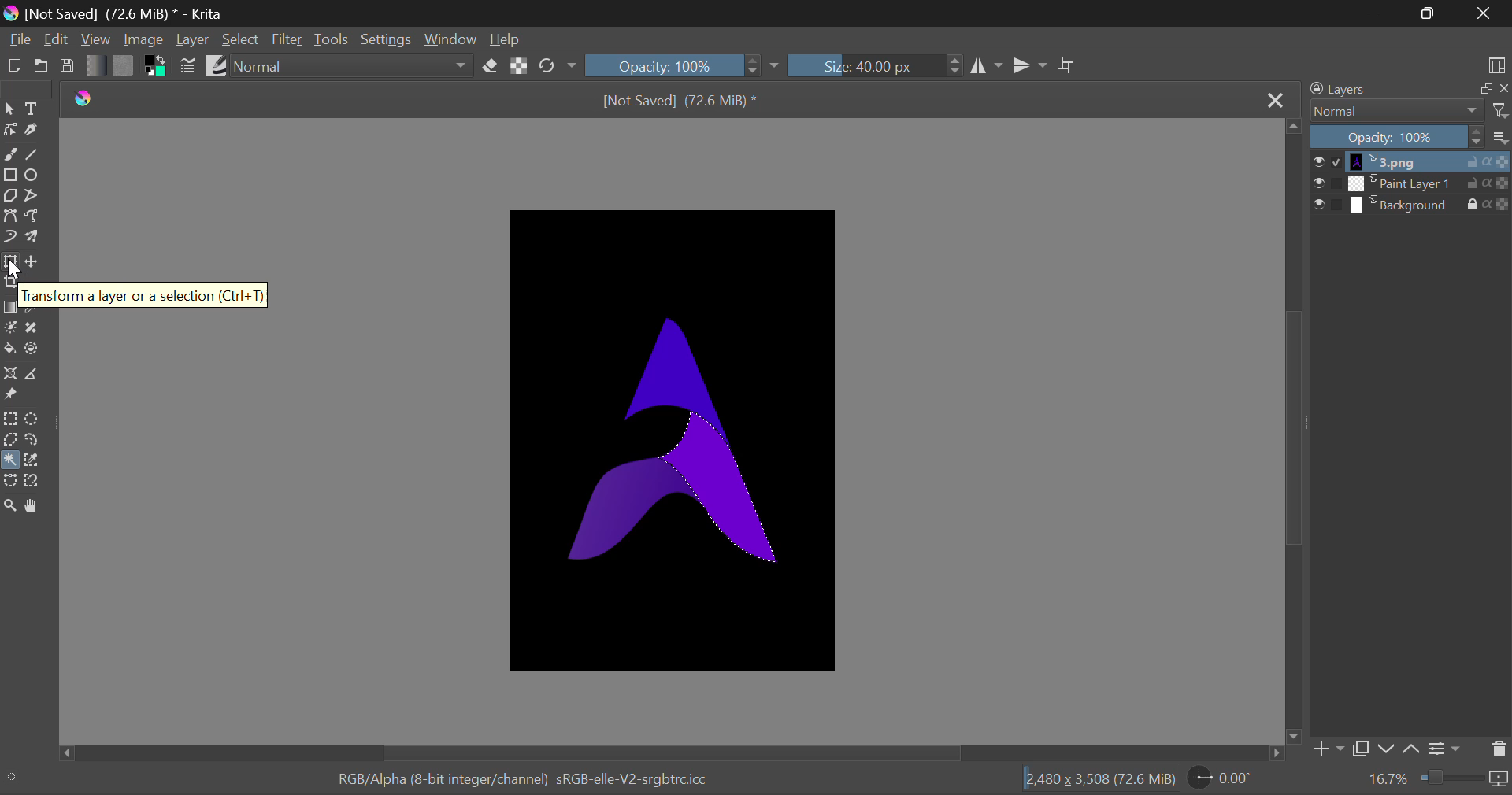  I want to click on Move Layers, so click(34, 263).